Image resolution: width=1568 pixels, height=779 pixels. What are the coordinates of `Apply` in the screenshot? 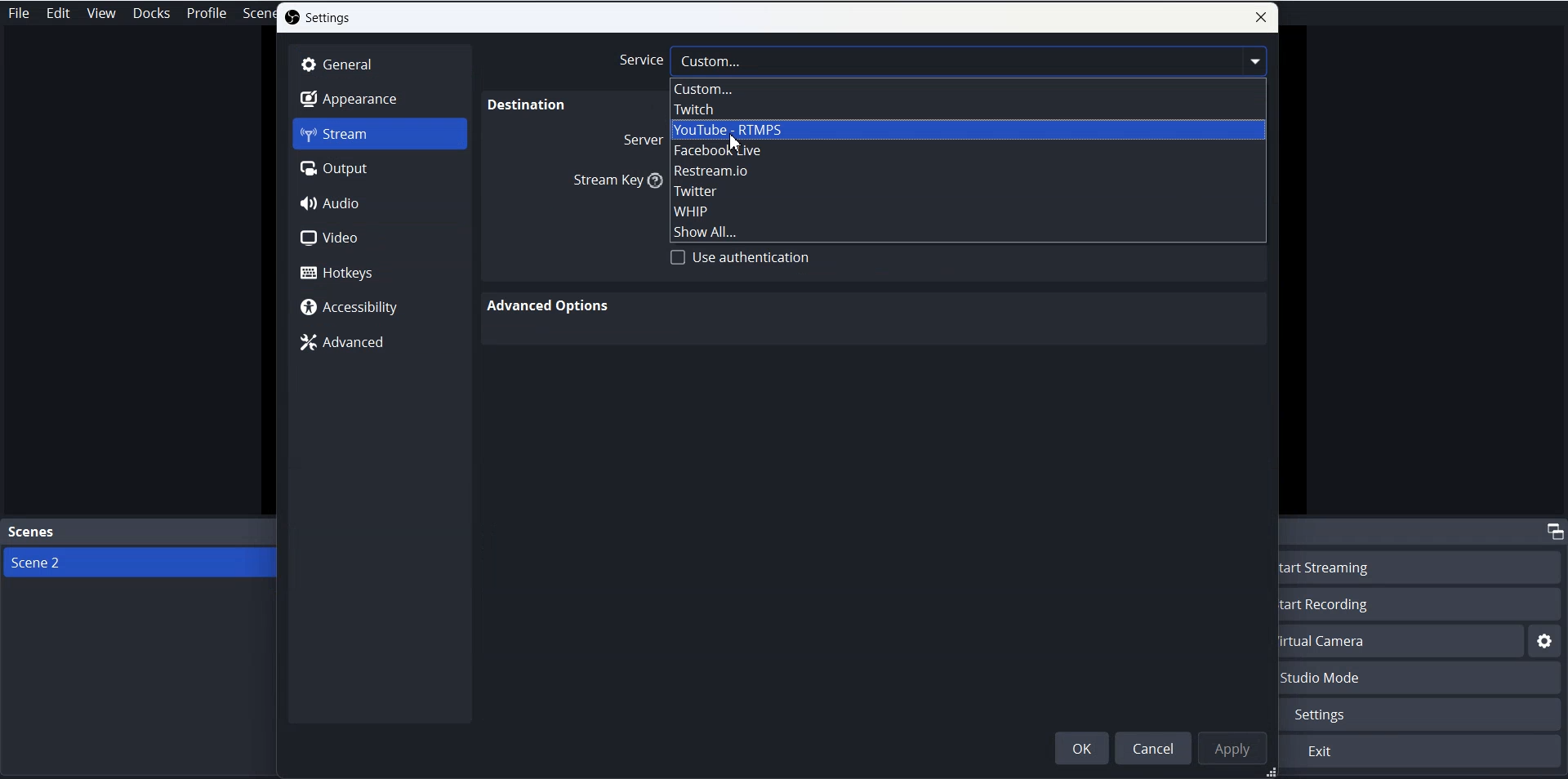 It's located at (1233, 748).